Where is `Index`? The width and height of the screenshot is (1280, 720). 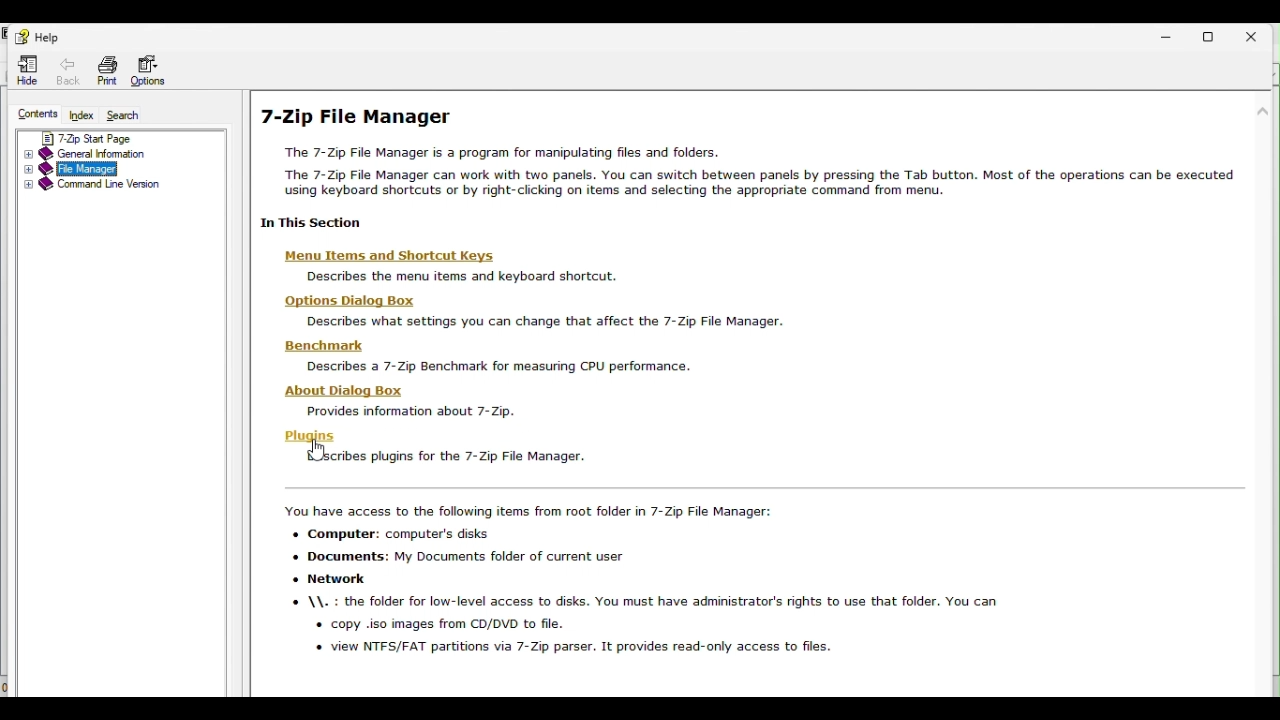 Index is located at coordinates (81, 114).